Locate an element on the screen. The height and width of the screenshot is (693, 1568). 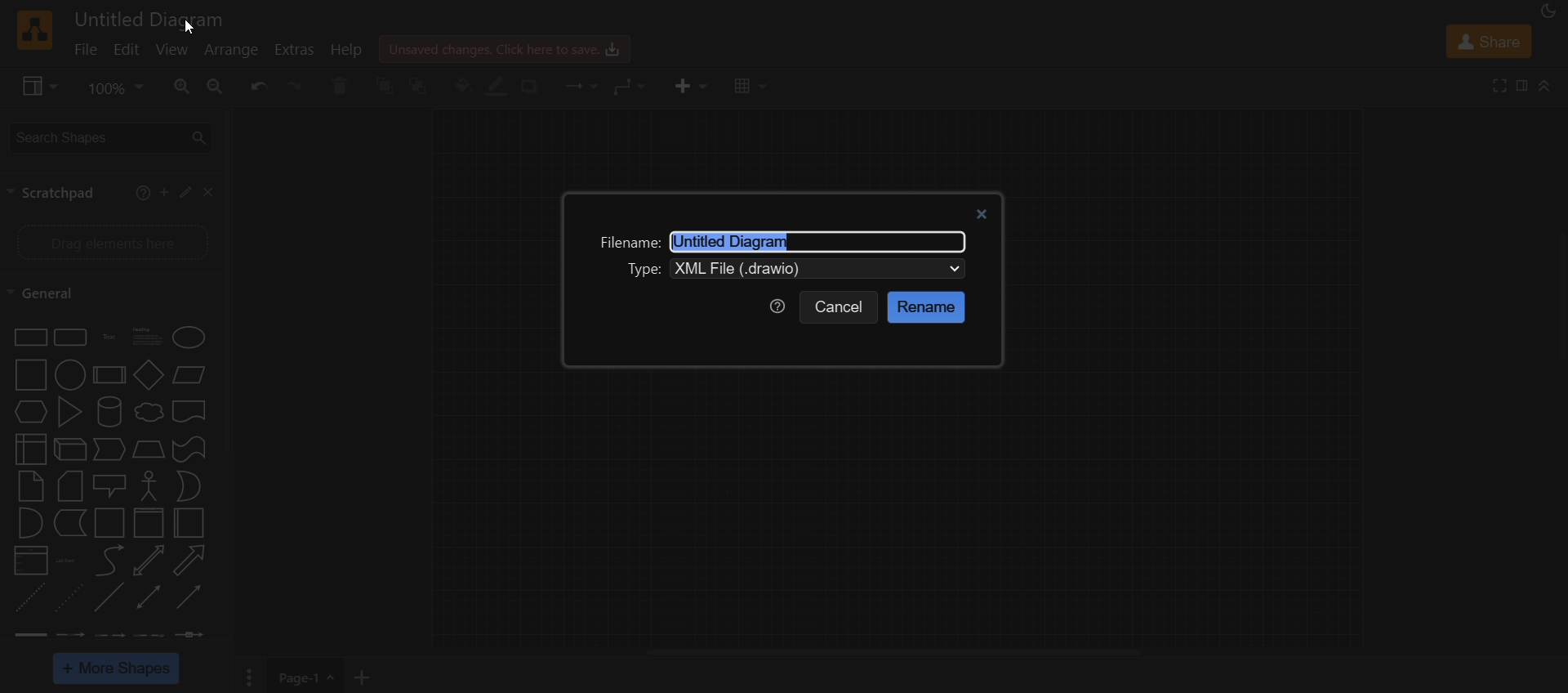
zoom out is located at coordinates (214, 86).